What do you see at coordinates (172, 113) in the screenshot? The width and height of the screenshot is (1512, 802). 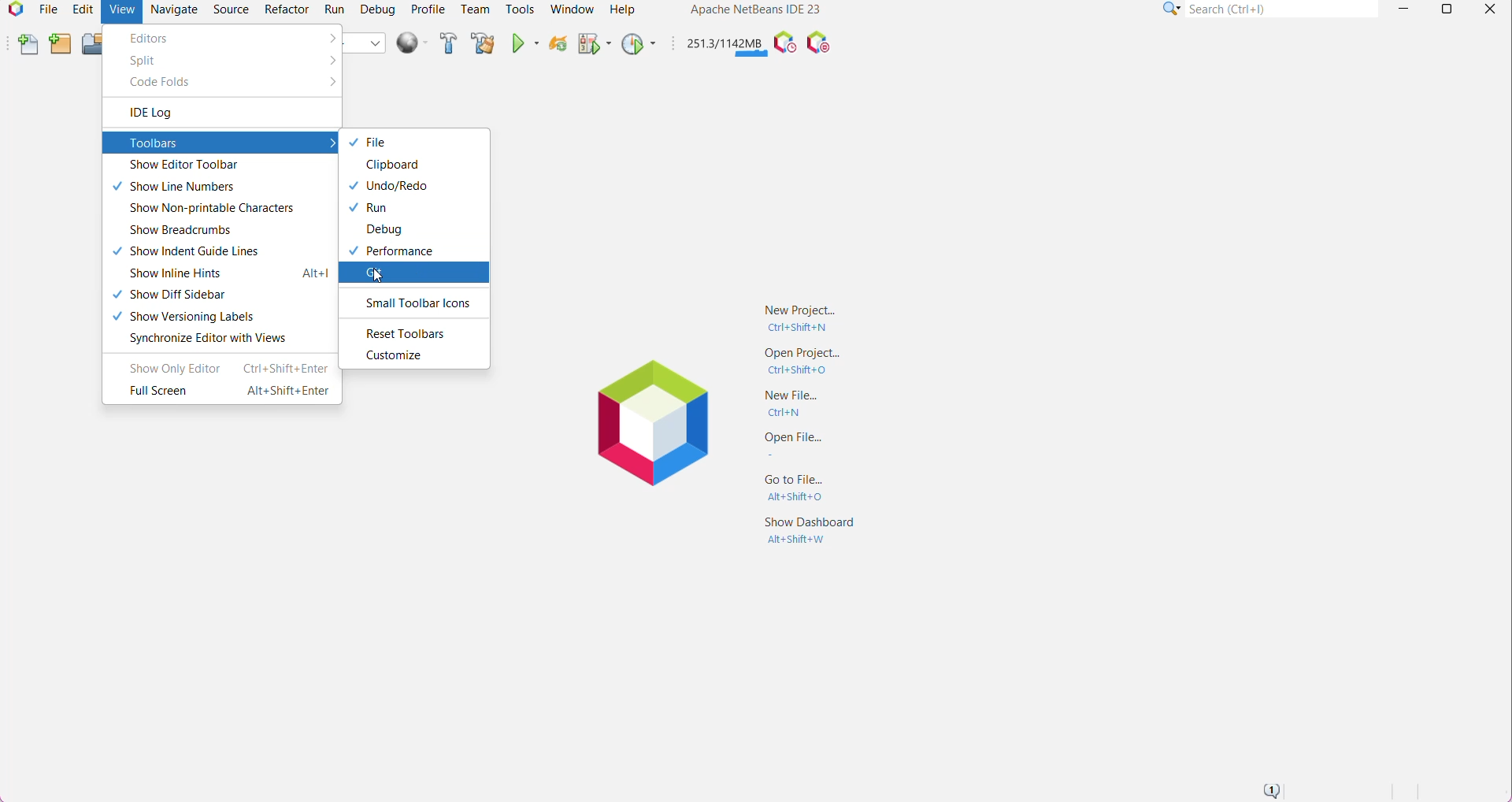 I see `IDE Log` at bounding box center [172, 113].